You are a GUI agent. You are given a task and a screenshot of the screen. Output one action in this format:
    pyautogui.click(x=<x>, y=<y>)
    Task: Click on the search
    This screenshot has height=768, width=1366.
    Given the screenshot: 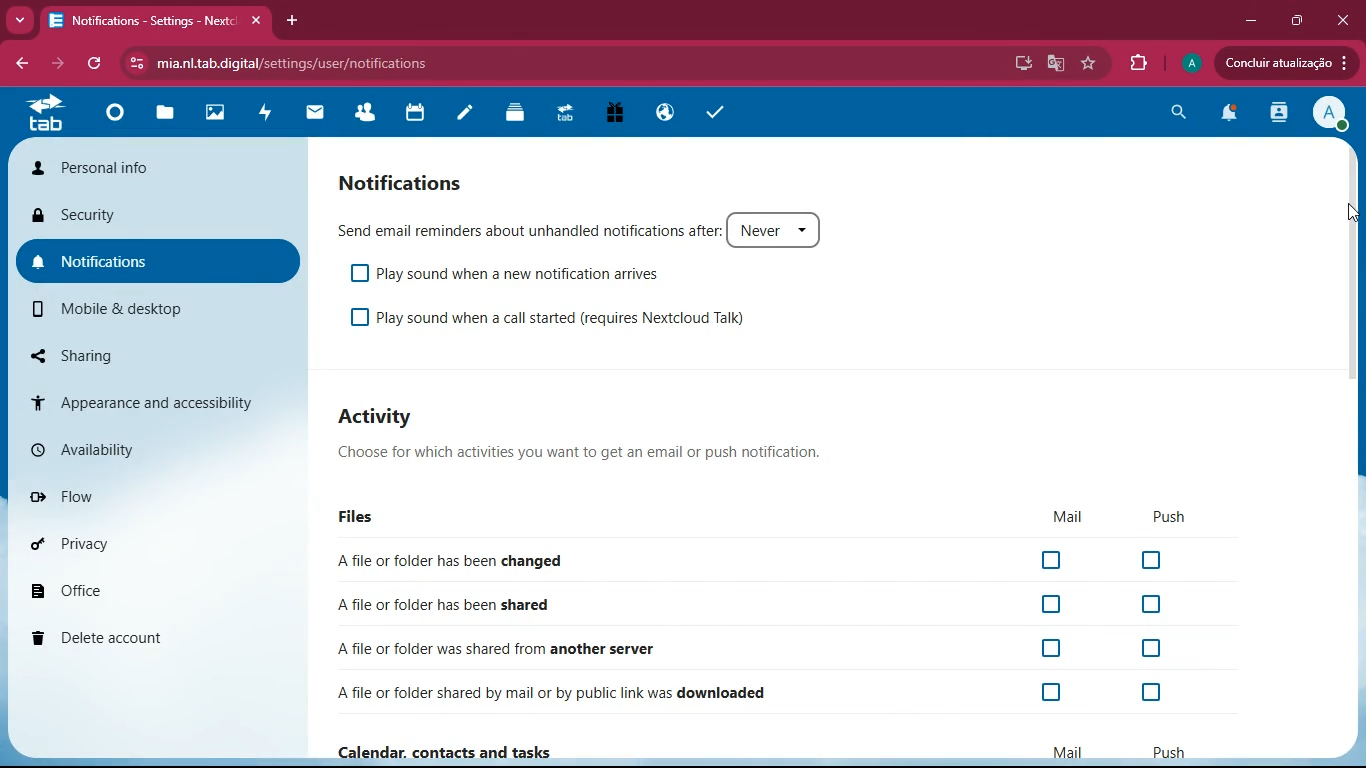 What is the action you would take?
    pyautogui.click(x=1182, y=112)
    